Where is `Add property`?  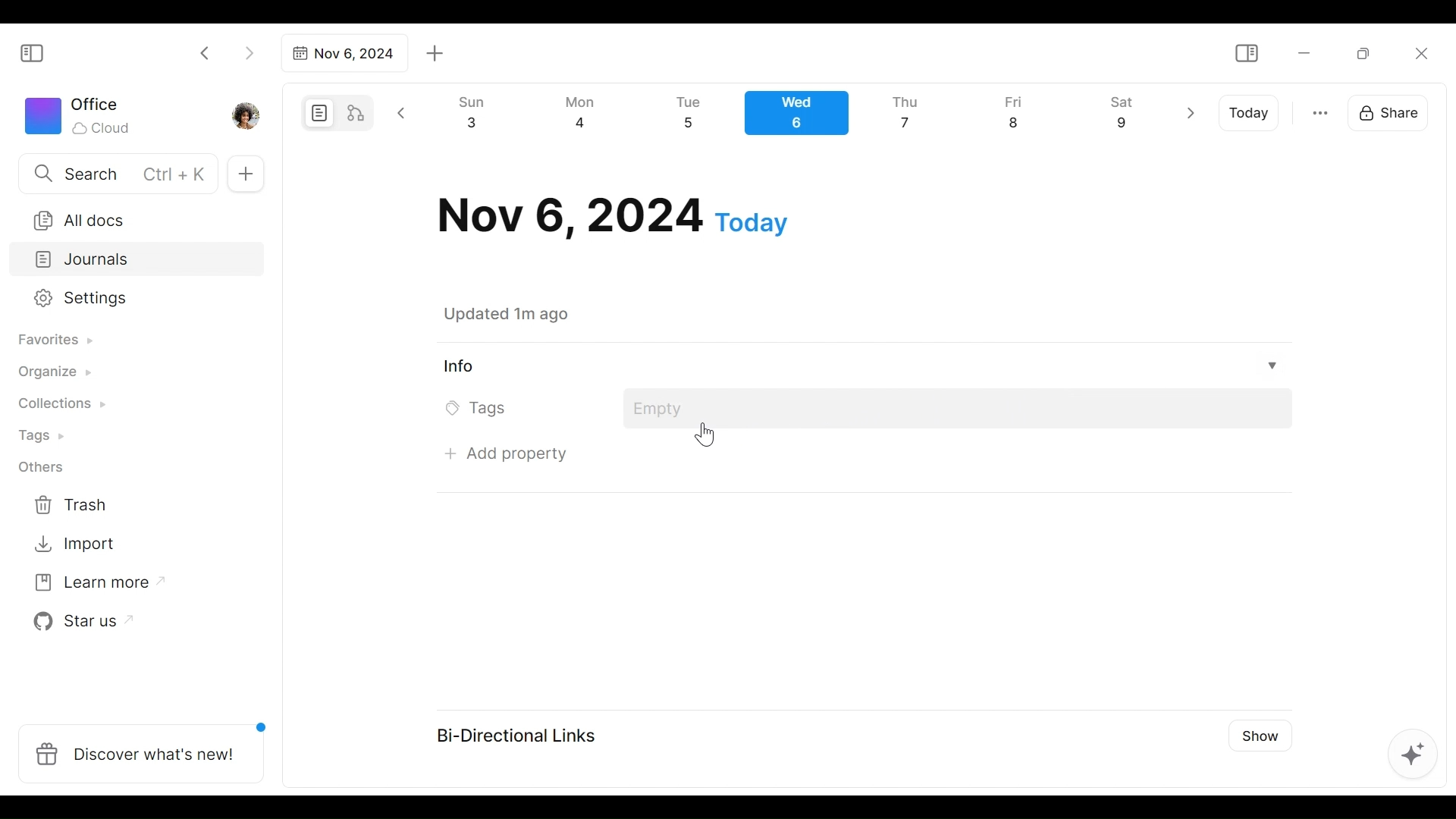 Add property is located at coordinates (513, 453).